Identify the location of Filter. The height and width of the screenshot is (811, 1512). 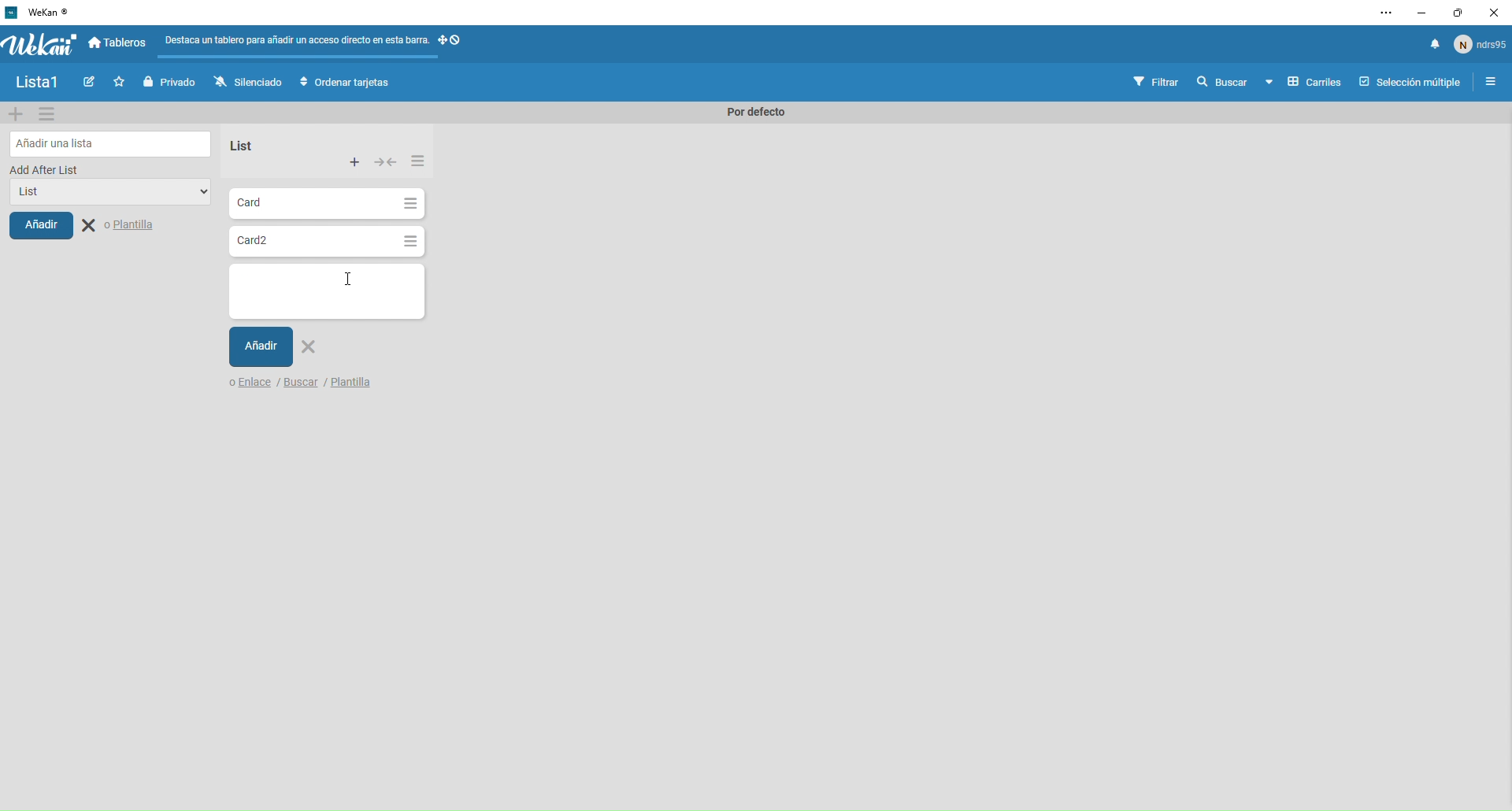
(1157, 83).